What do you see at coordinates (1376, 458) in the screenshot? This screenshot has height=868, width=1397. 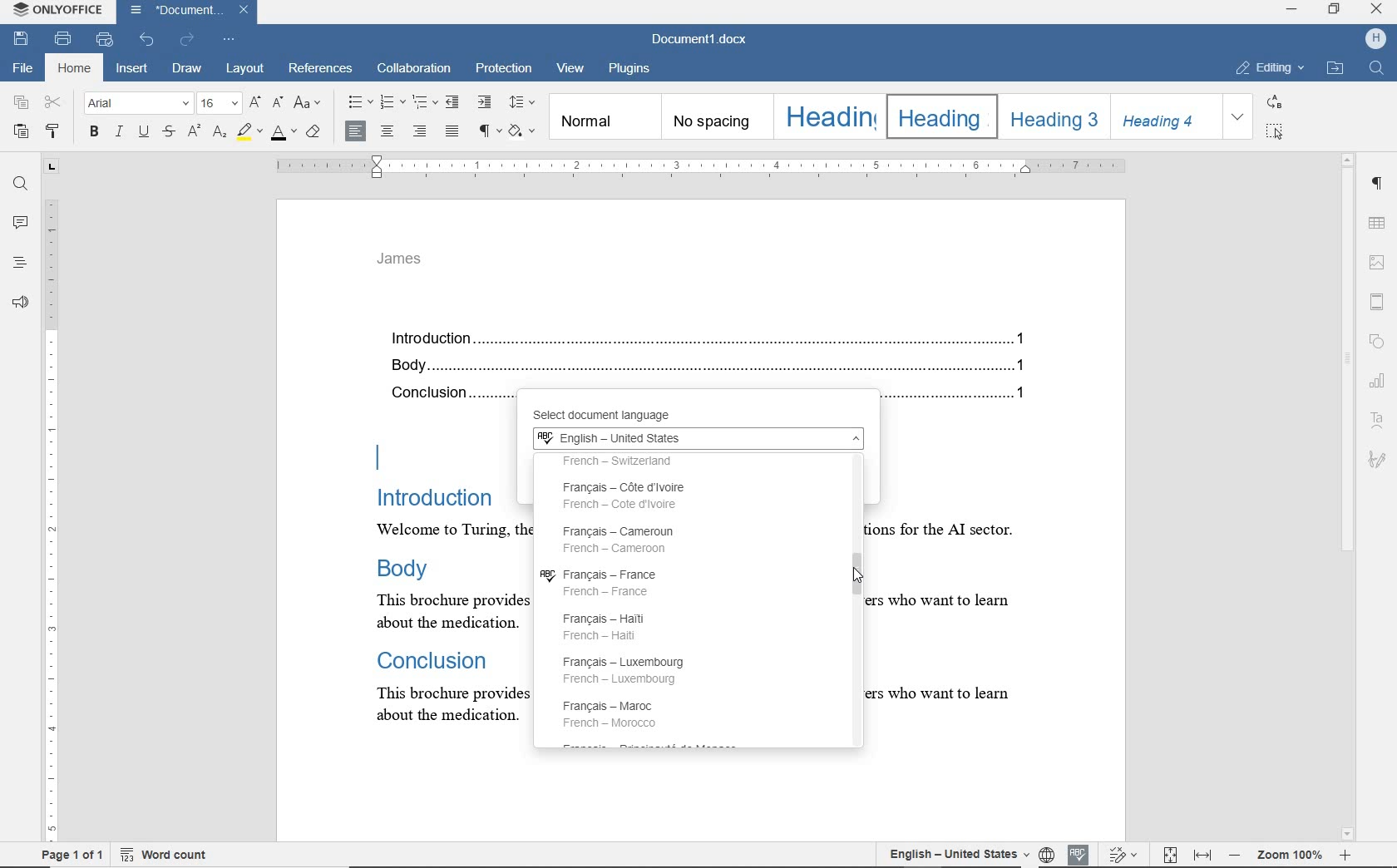 I see `signature` at bounding box center [1376, 458].